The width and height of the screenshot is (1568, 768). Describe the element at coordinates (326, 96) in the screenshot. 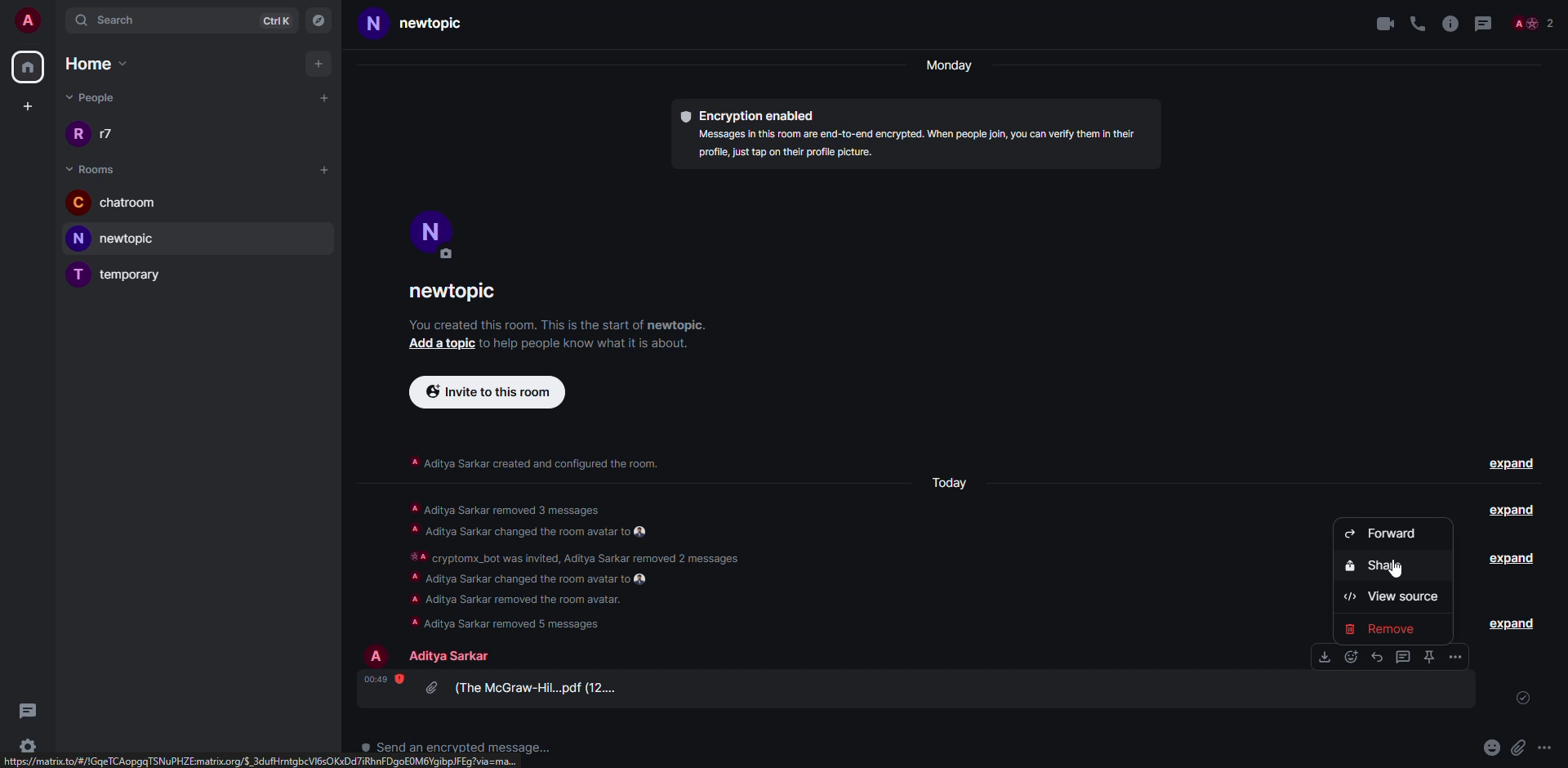

I see `add` at that location.